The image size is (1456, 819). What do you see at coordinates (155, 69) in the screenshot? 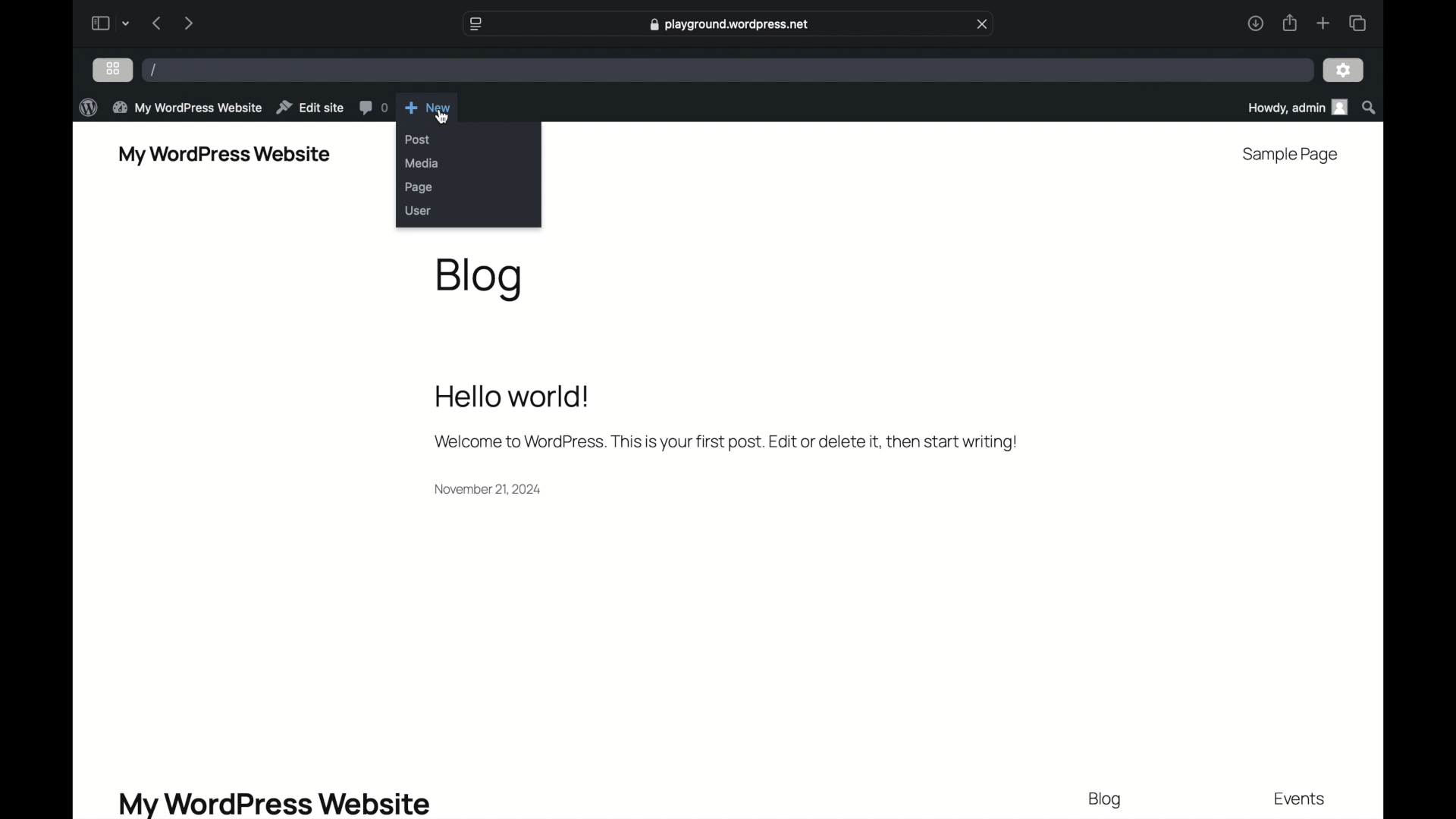
I see `/` at bounding box center [155, 69].